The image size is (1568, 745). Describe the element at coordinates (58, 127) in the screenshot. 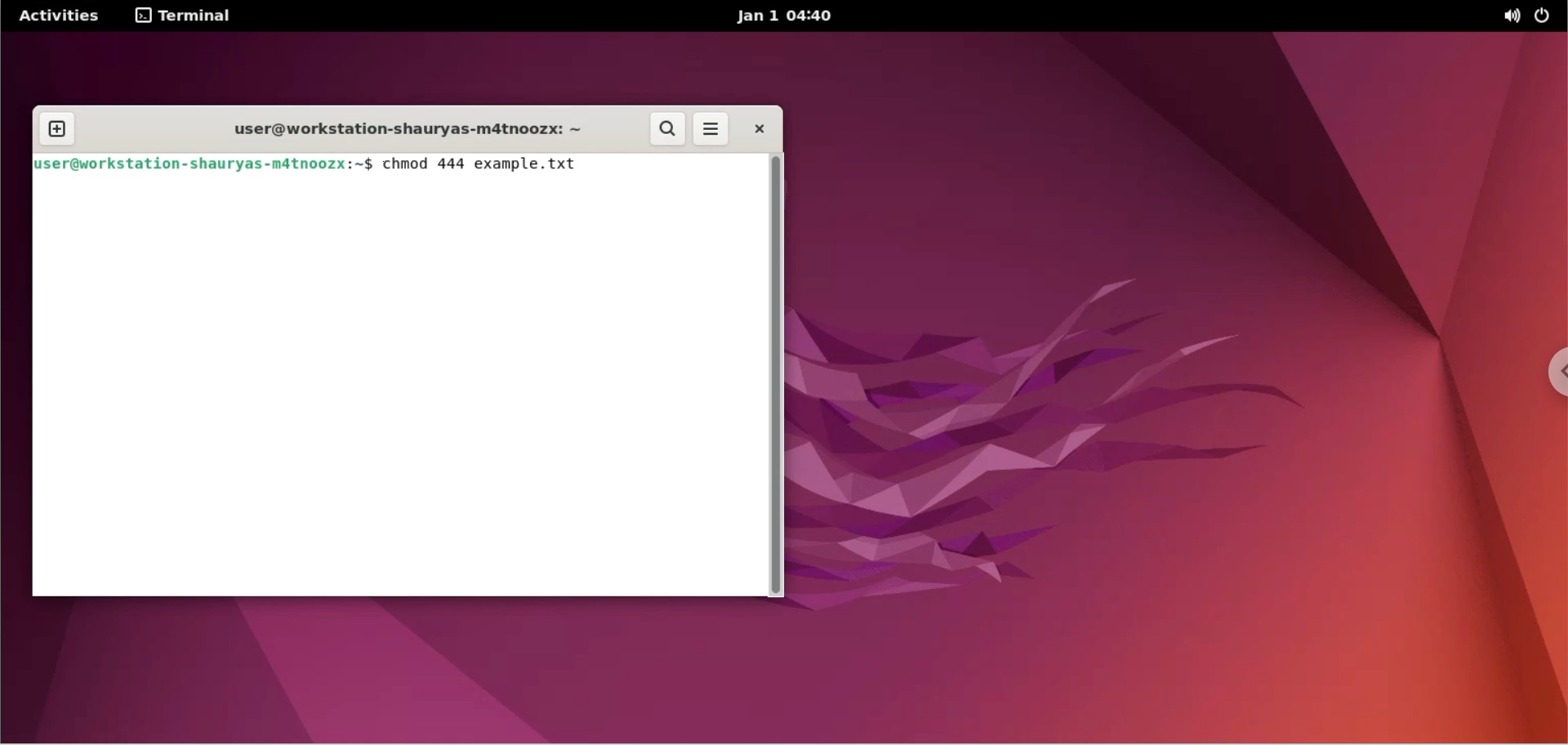

I see `new tab` at that location.